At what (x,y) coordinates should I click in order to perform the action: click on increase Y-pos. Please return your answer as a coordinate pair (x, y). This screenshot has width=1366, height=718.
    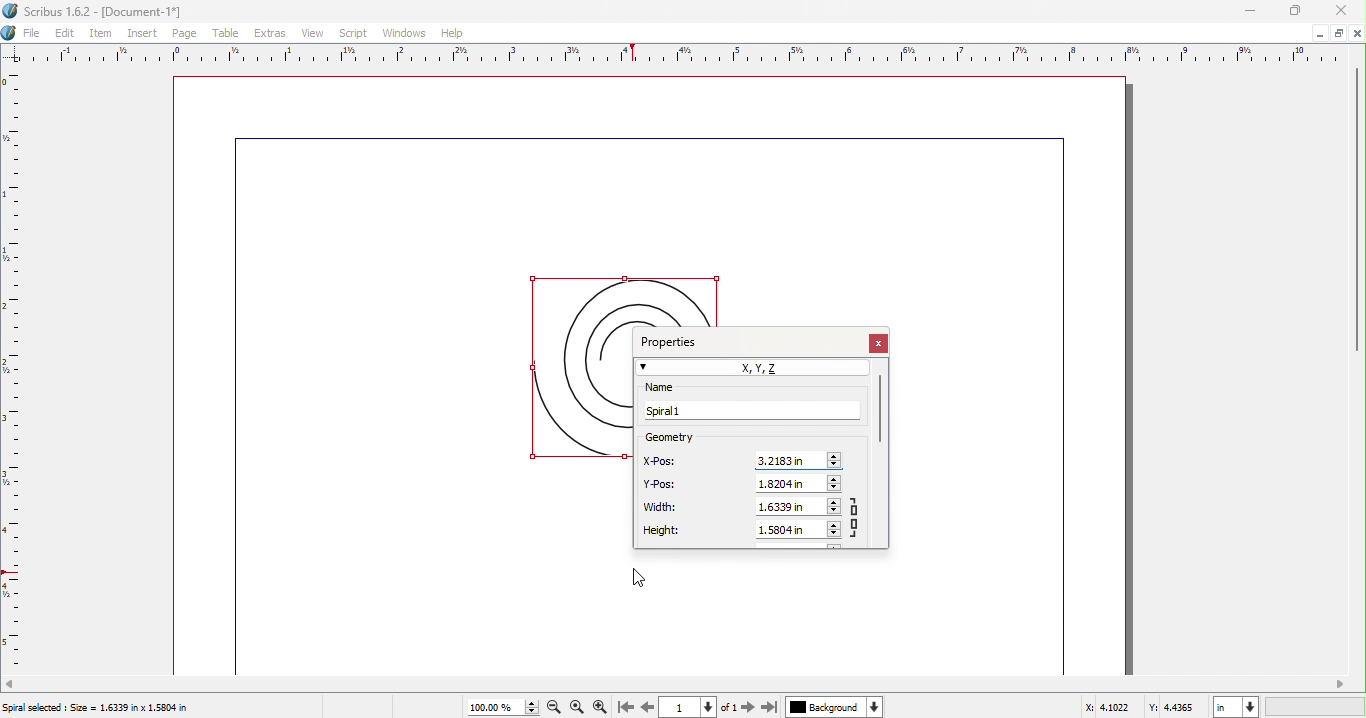
    Looking at the image, I should click on (836, 477).